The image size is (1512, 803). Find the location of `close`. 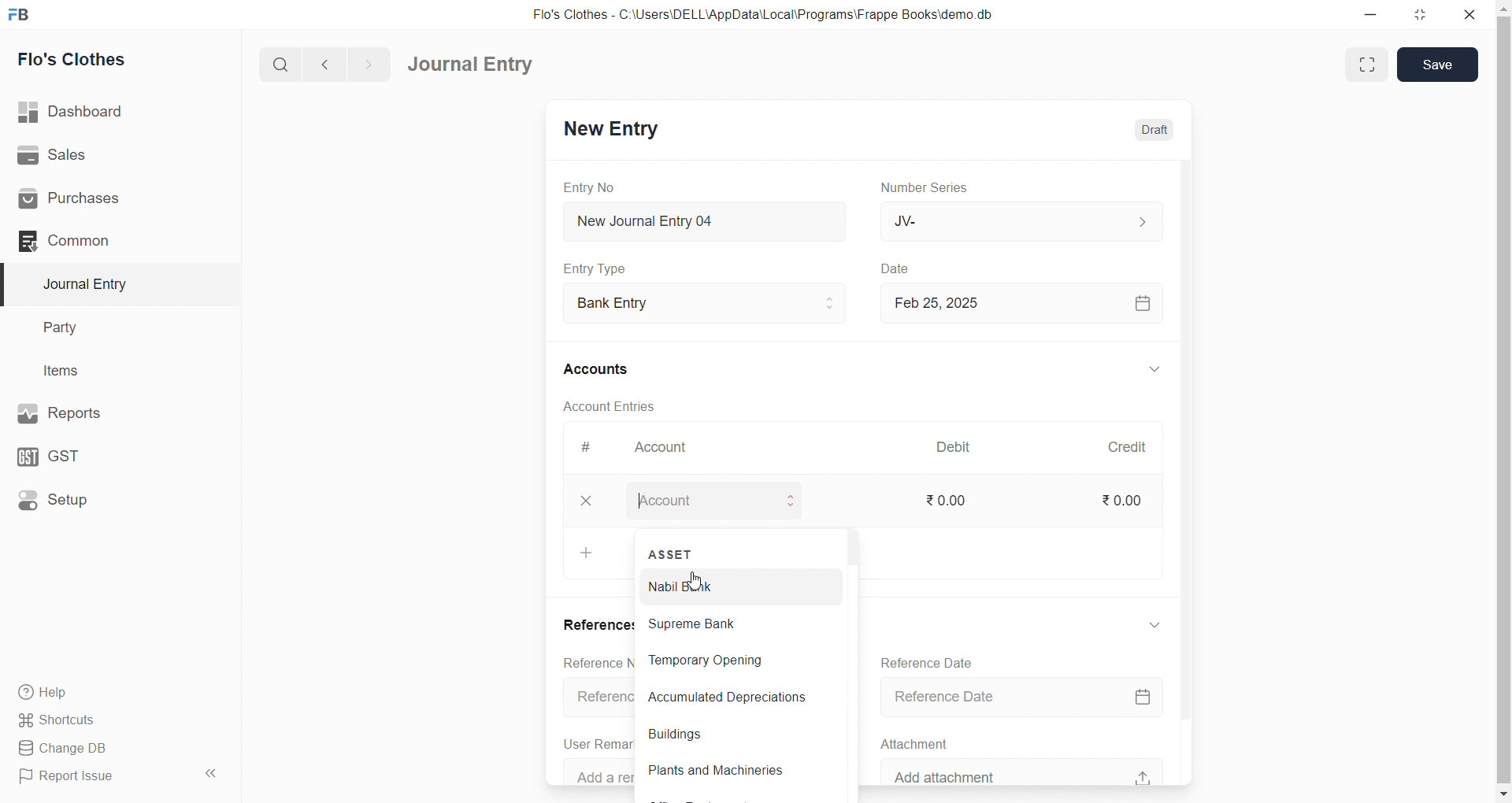

close is located at coordinates (1473, 14).